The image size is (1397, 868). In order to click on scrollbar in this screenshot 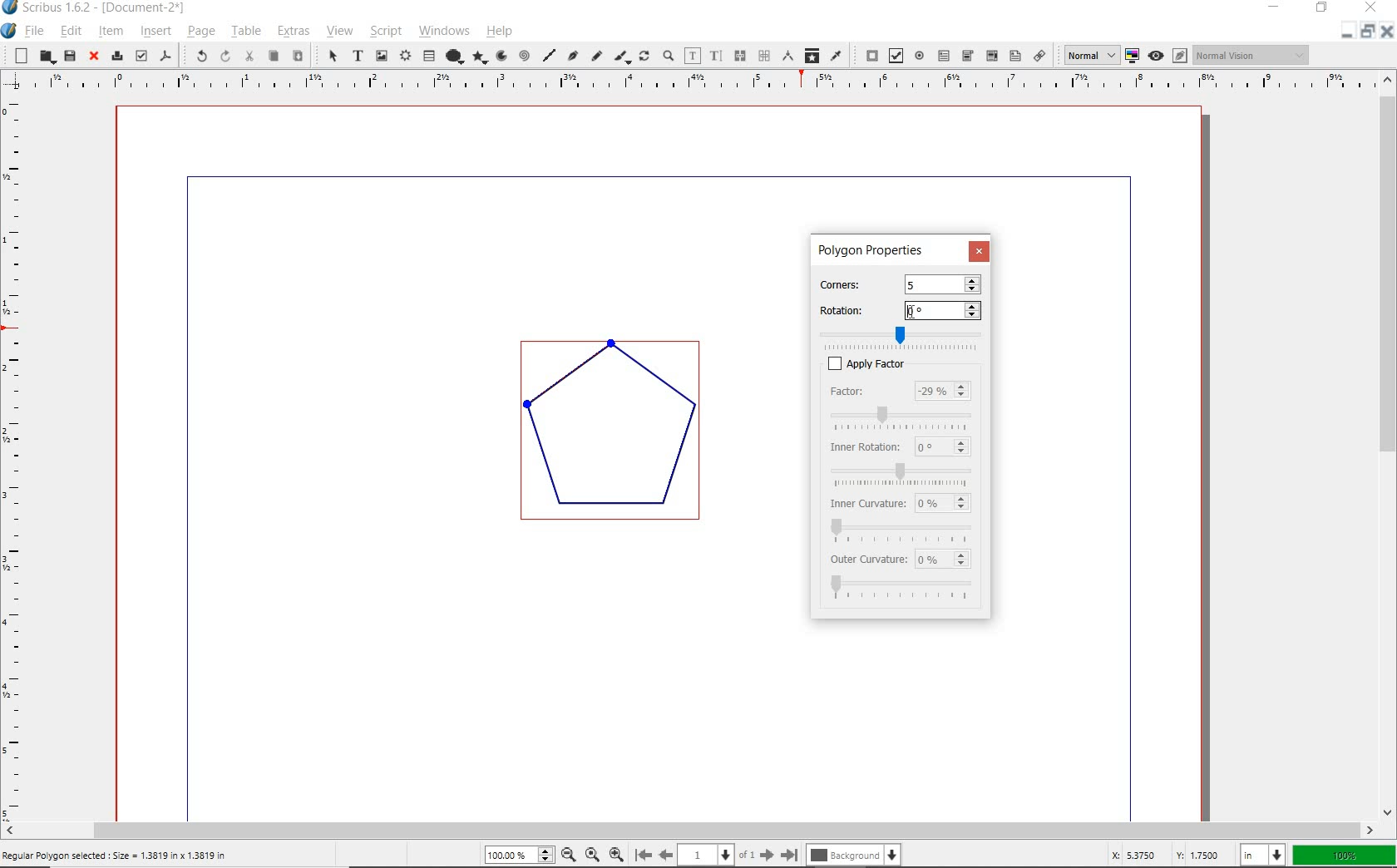, I will do `click(689, 831)`.